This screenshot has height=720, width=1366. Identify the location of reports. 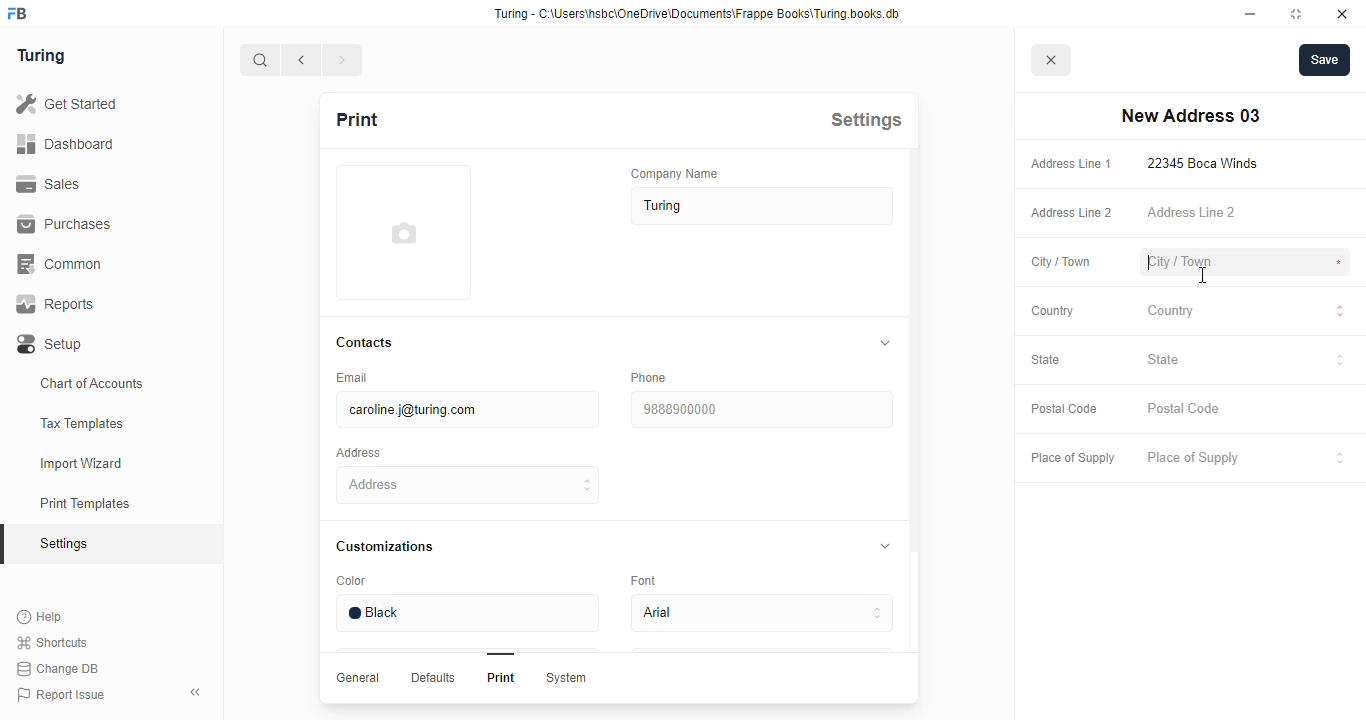
(56, 304).